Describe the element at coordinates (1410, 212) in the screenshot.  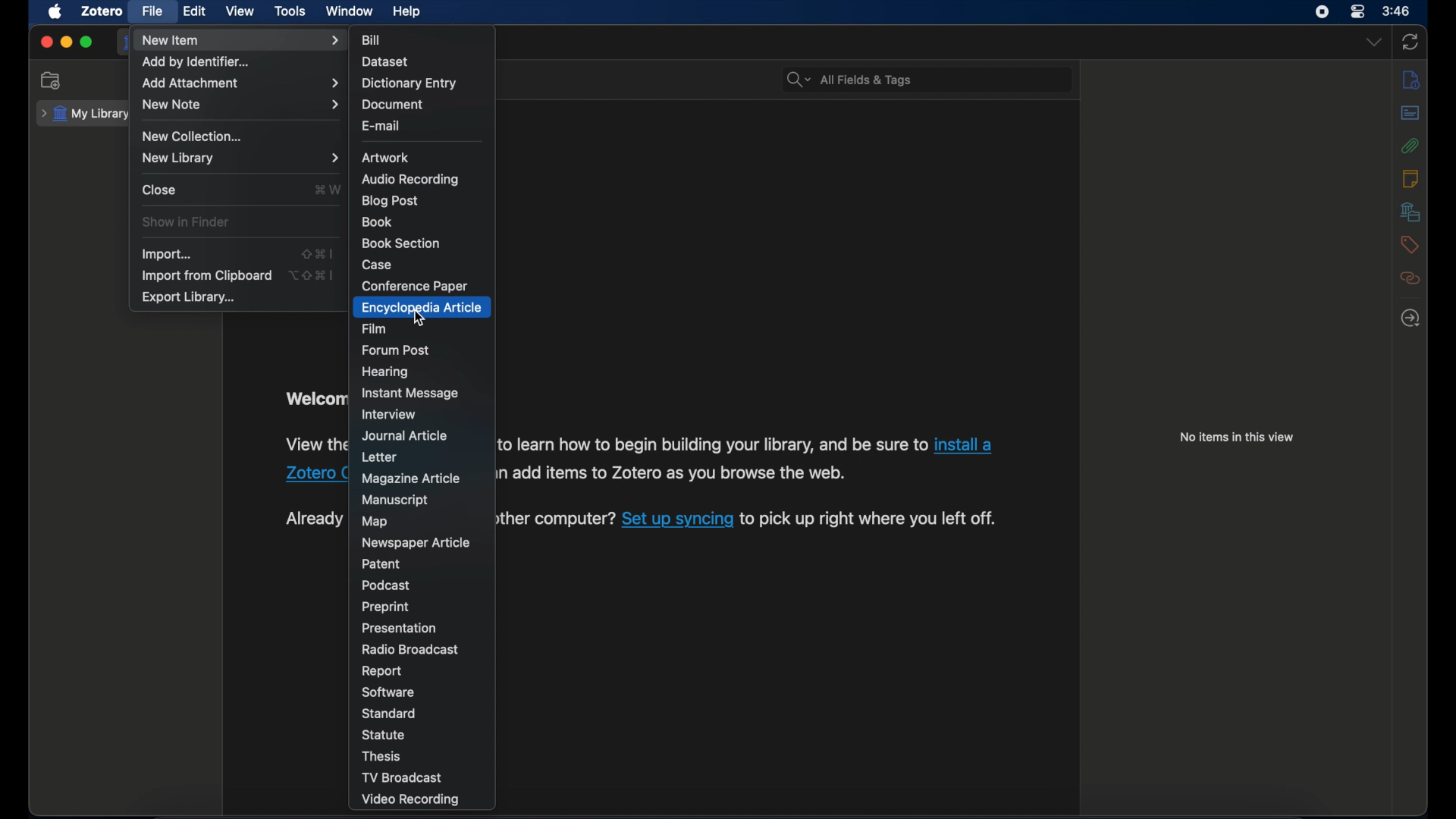
I see `libraries` at that location.